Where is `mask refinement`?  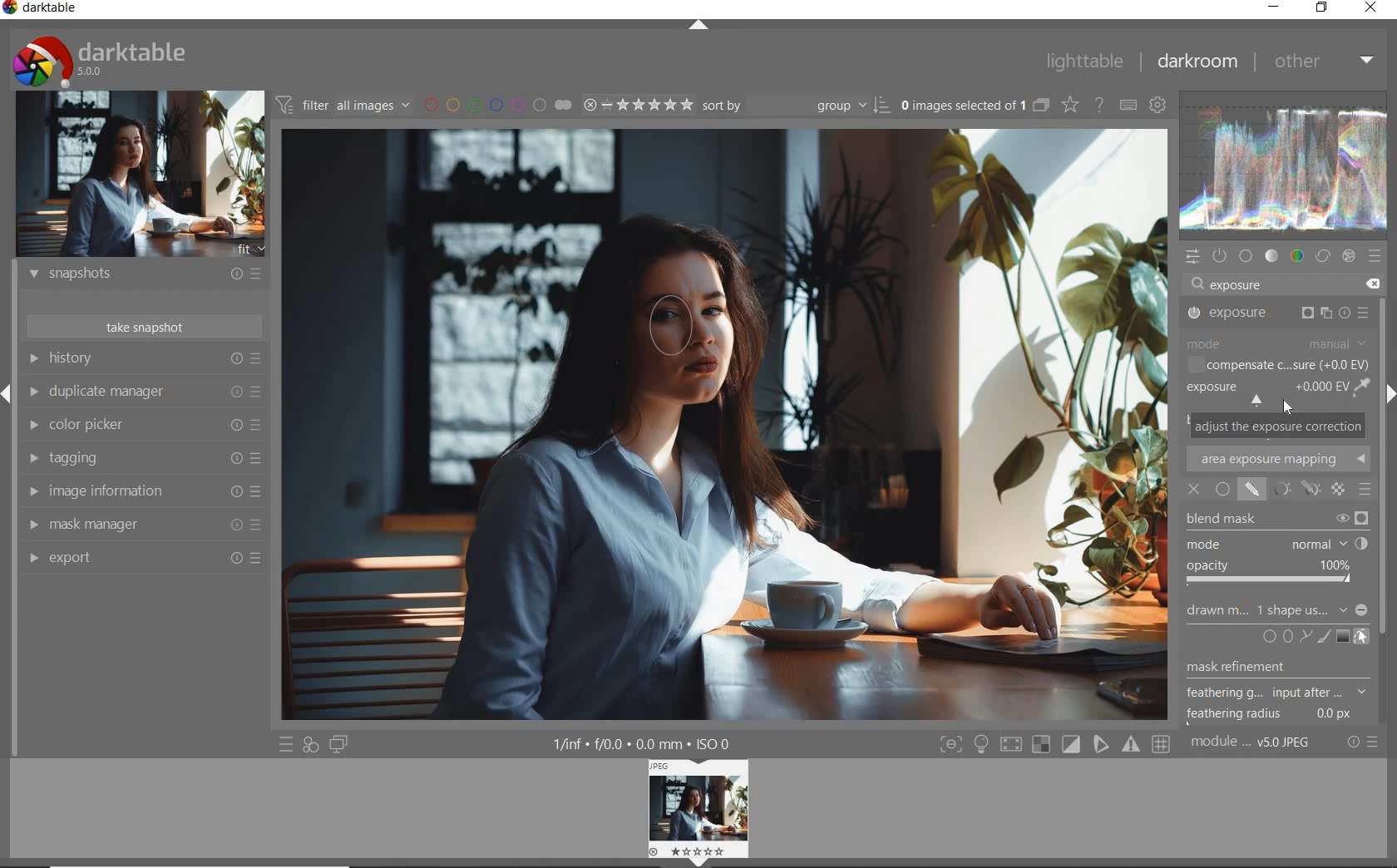
mask refinement is located at coordinates (1269, 668).